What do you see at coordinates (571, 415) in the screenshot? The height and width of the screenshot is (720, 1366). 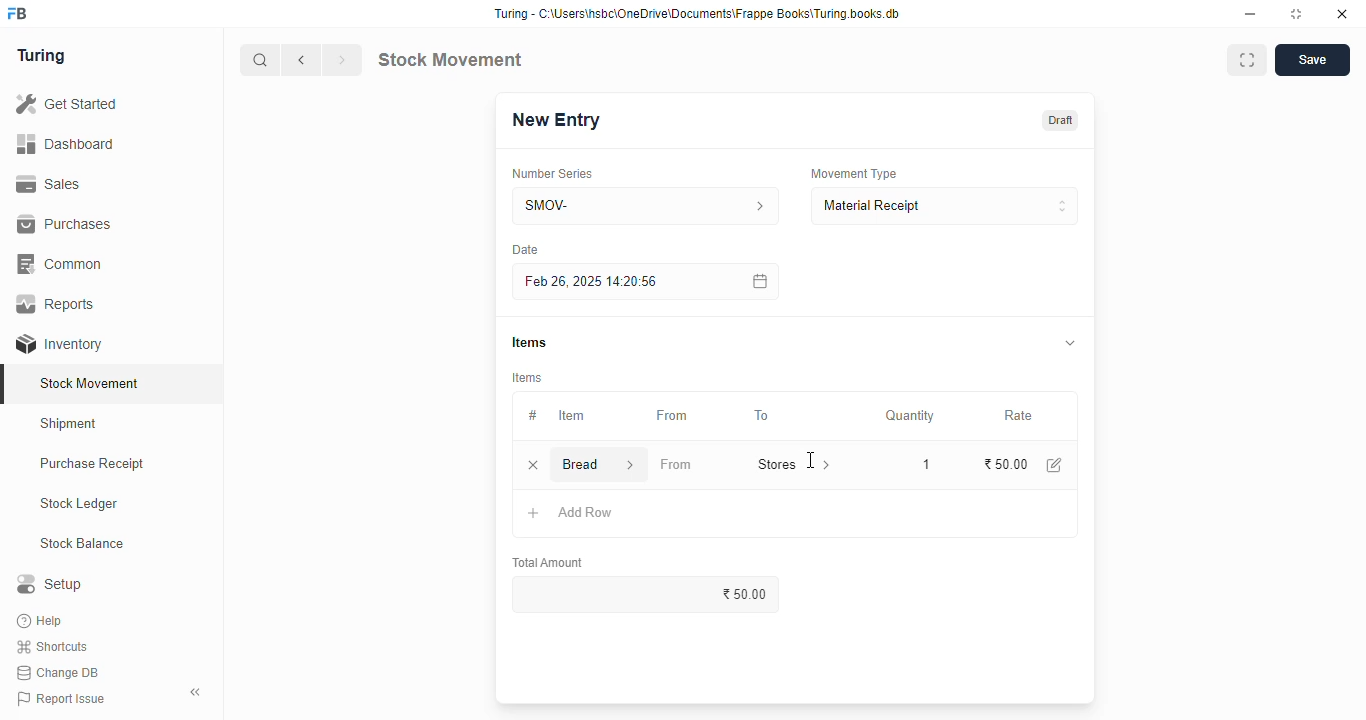 I see `item` at bounding box center [571, 415].